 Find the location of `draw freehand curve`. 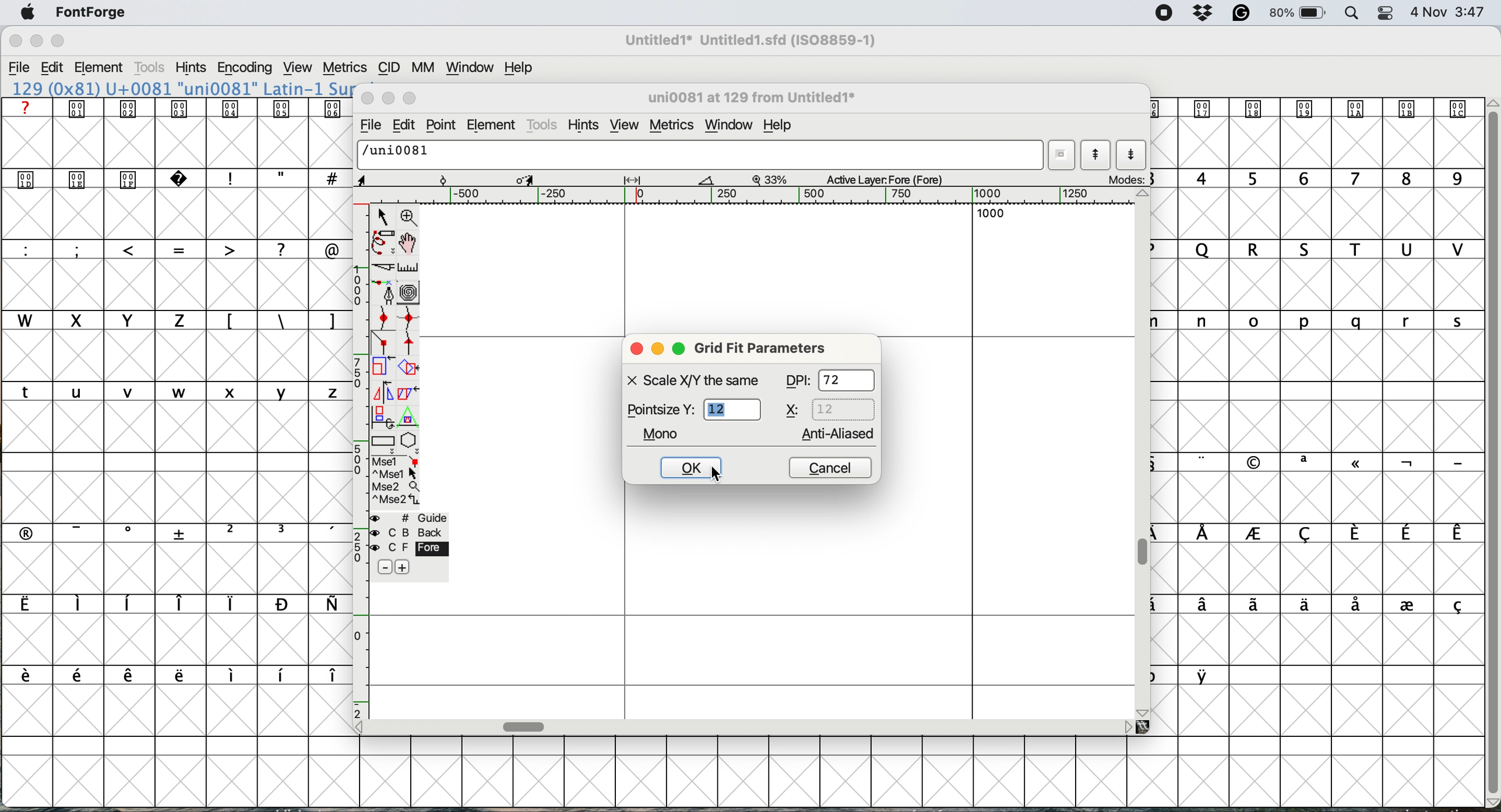

draw freehand curve is located at coordinates (383, 242).